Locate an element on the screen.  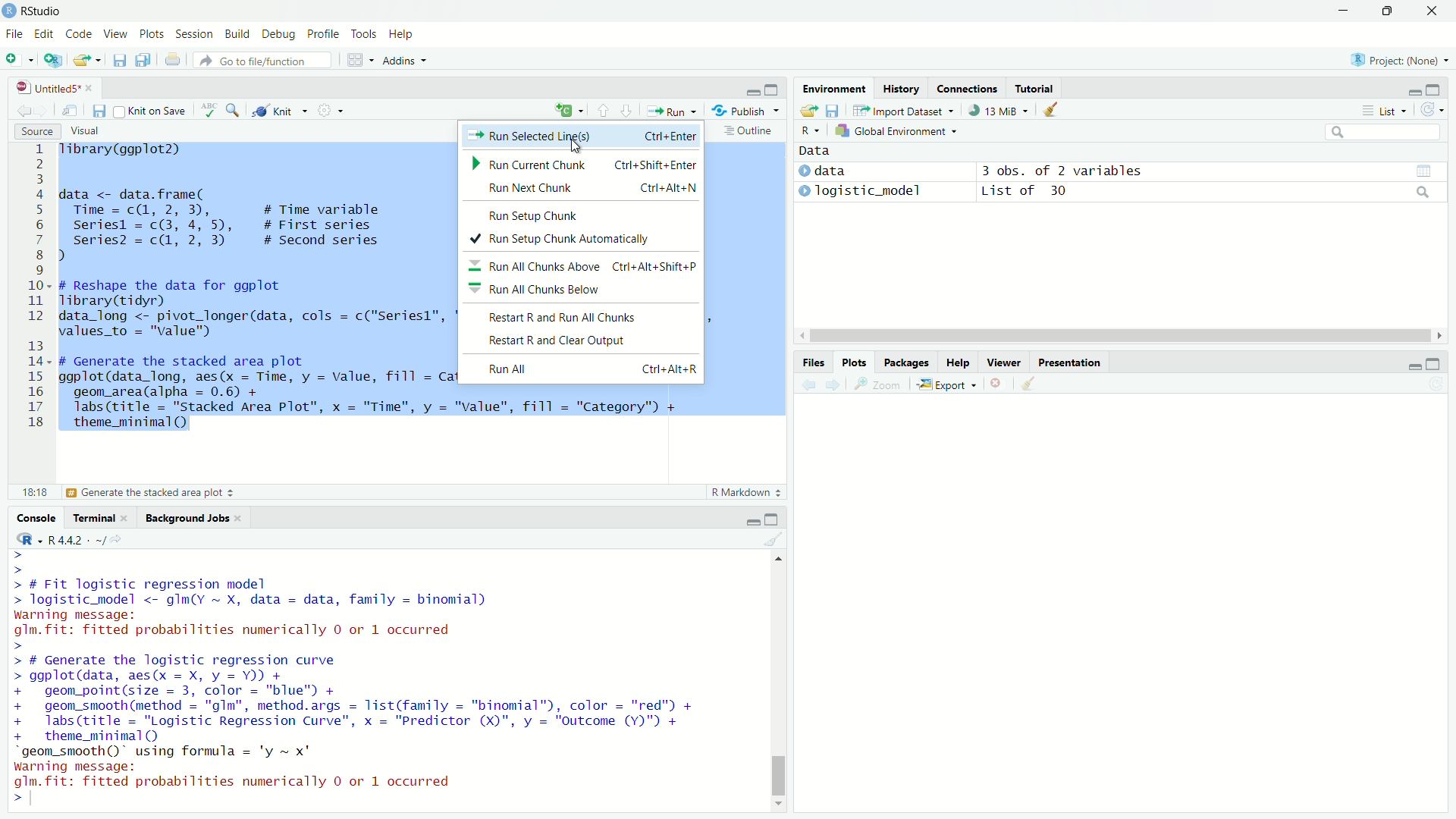
minimise is located at coordinates (742, 519).